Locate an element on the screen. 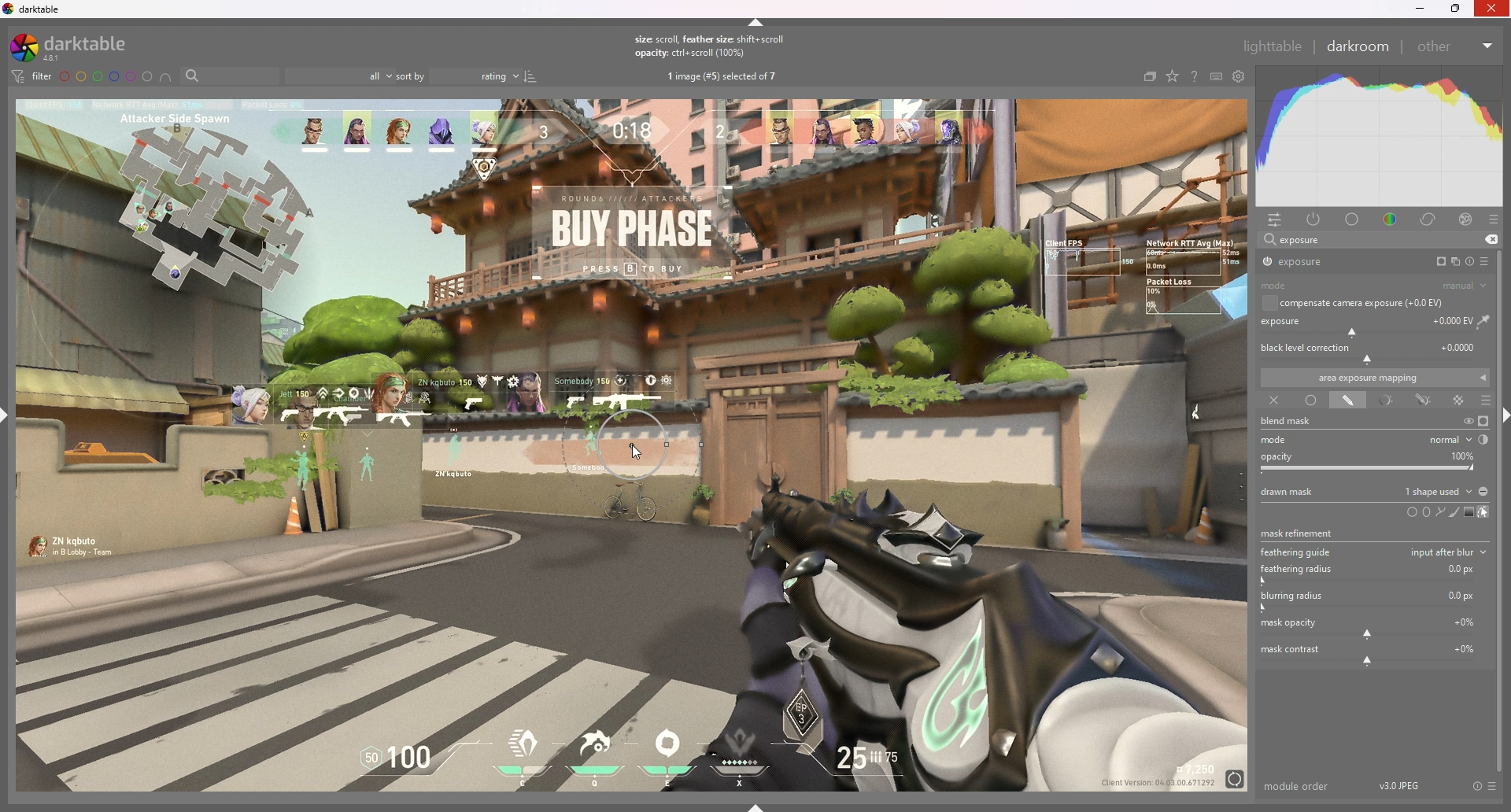 The height and width of the screenshot is (812, 1511). help is located at coordinates (1192, 76).